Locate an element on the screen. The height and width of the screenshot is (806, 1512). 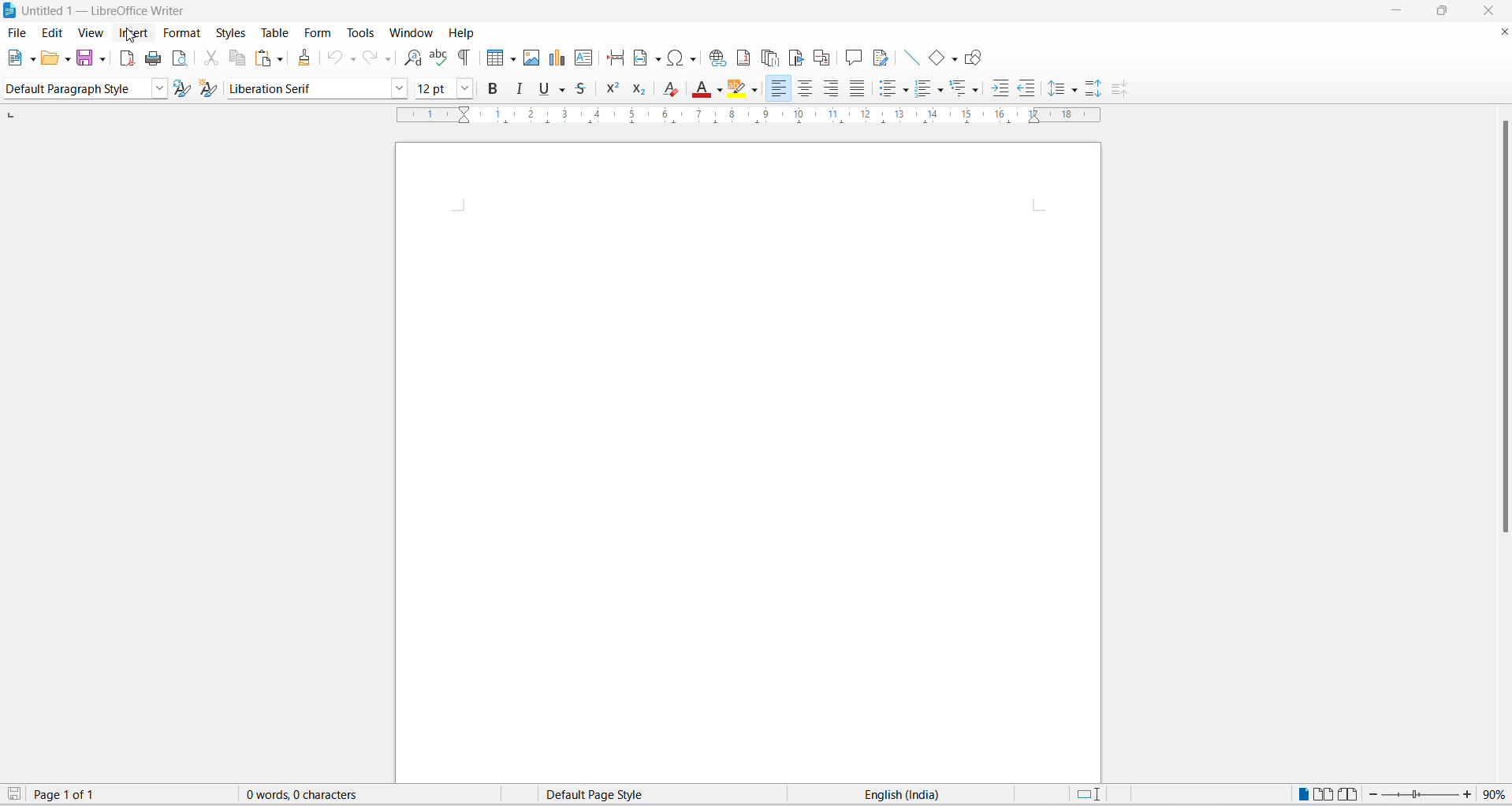
multipage view is located at coordinates (1322, 794).